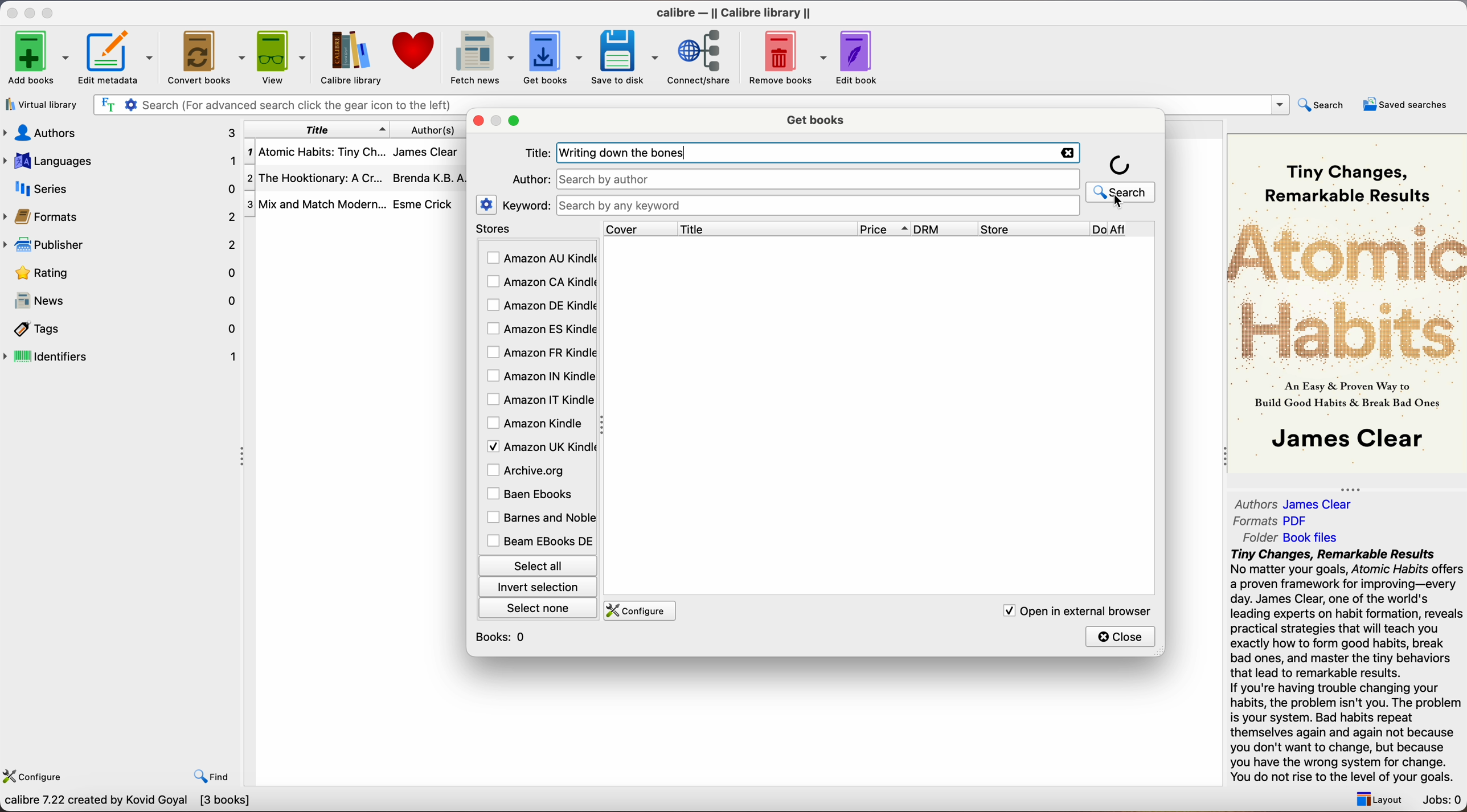  What do you see at coordinates (819, 171) in the screenshot?
I see `click on writing down the bones` at bounding box center [819, 171].